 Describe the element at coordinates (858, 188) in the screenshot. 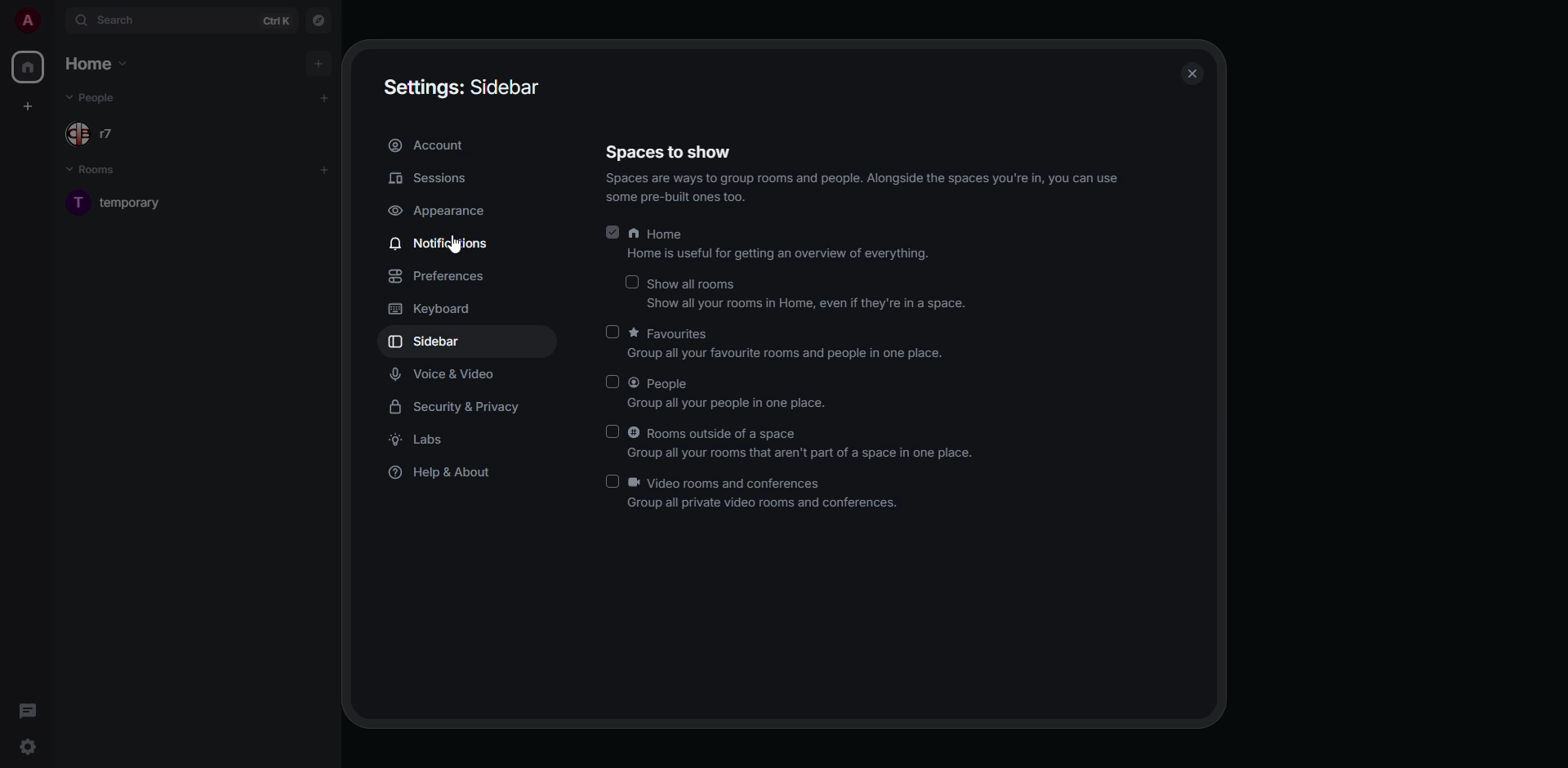

I see `info` at that location.